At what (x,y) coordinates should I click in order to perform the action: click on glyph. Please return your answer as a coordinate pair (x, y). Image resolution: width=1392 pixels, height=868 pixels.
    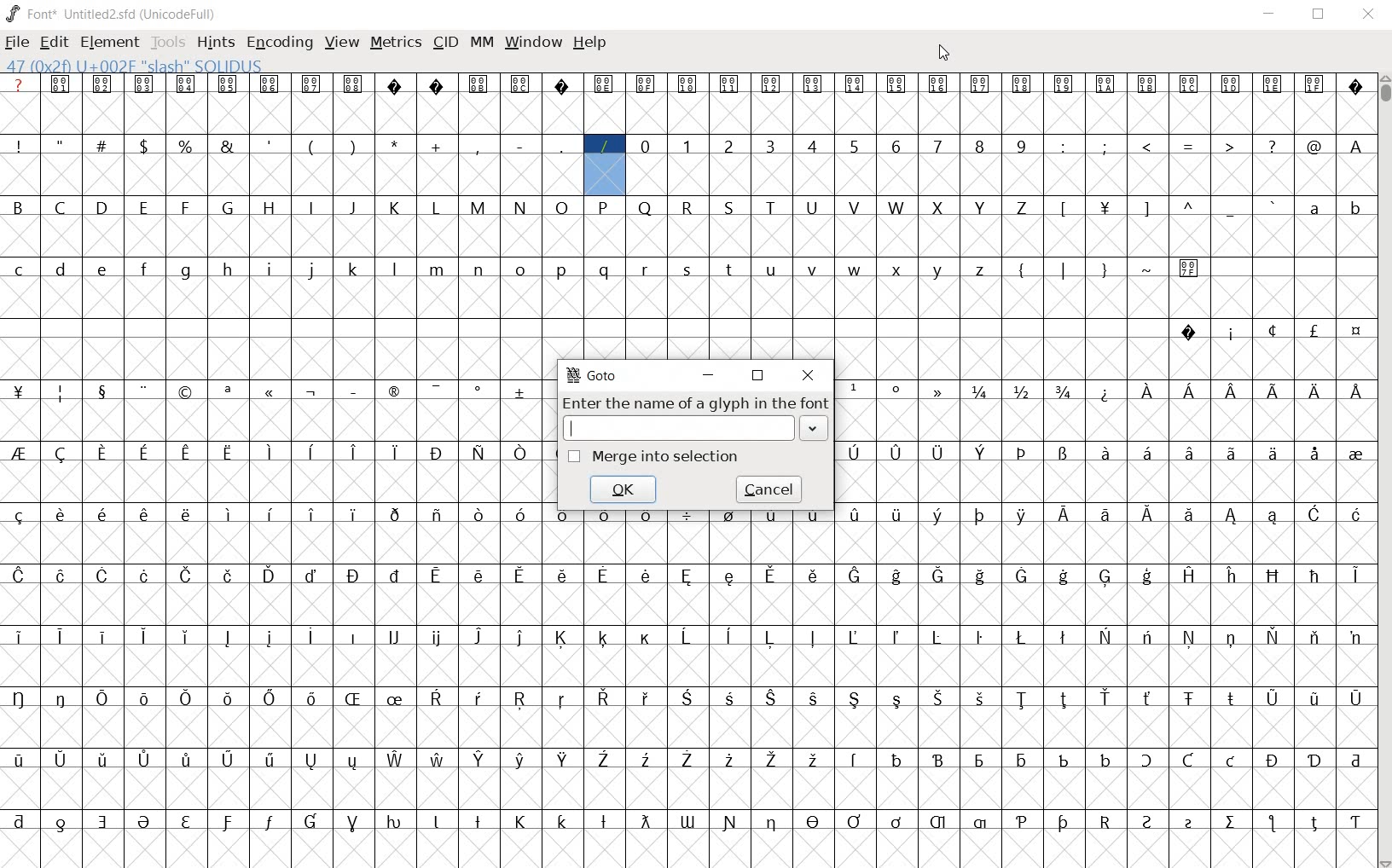
    Looking at the image, I should click on (1316, 454).